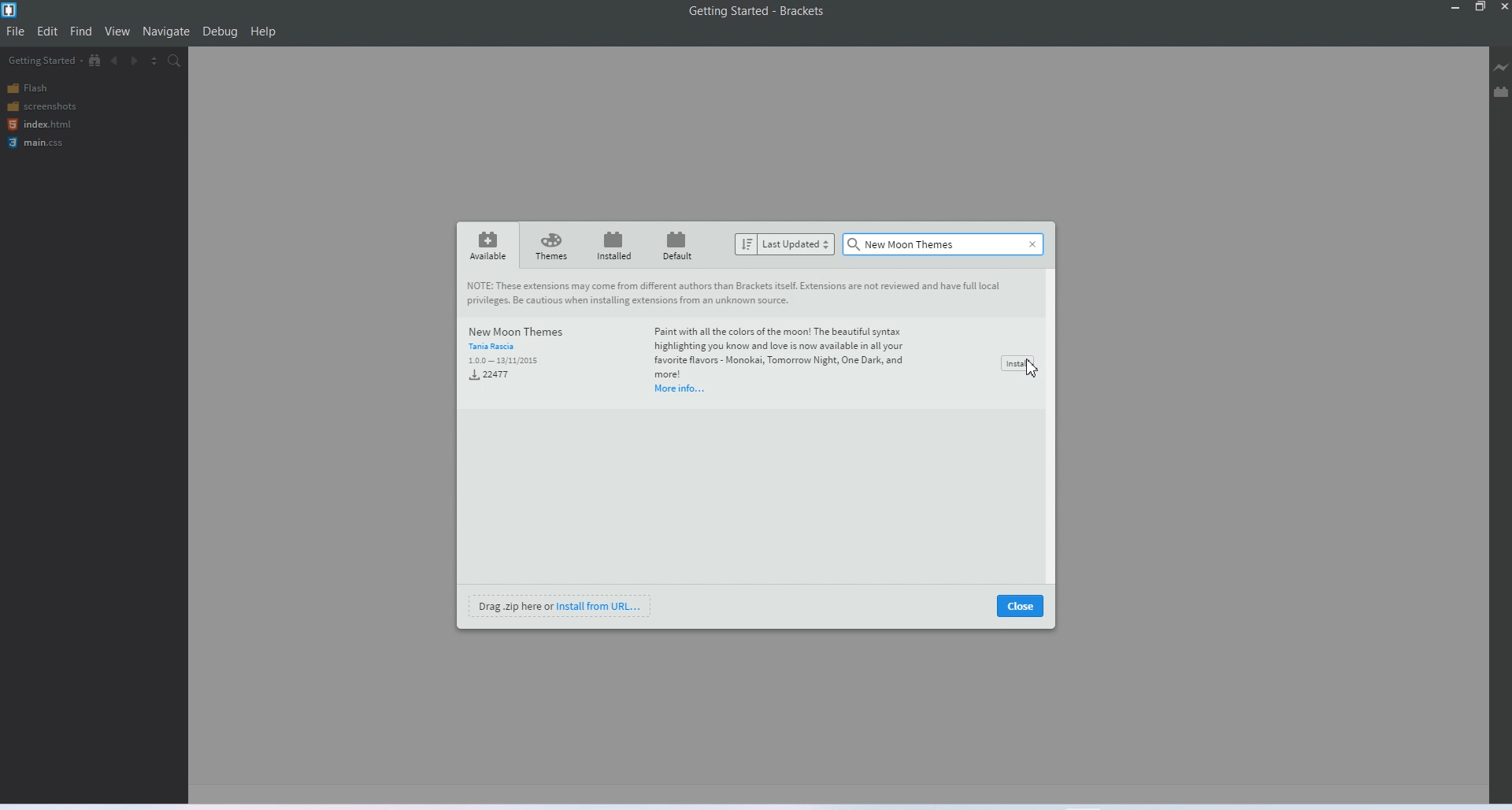 The height and width of the screenshot is (810, 1512). Describe the element at coordinates (926, 243) in the screenshot. I see `Text` at that location.